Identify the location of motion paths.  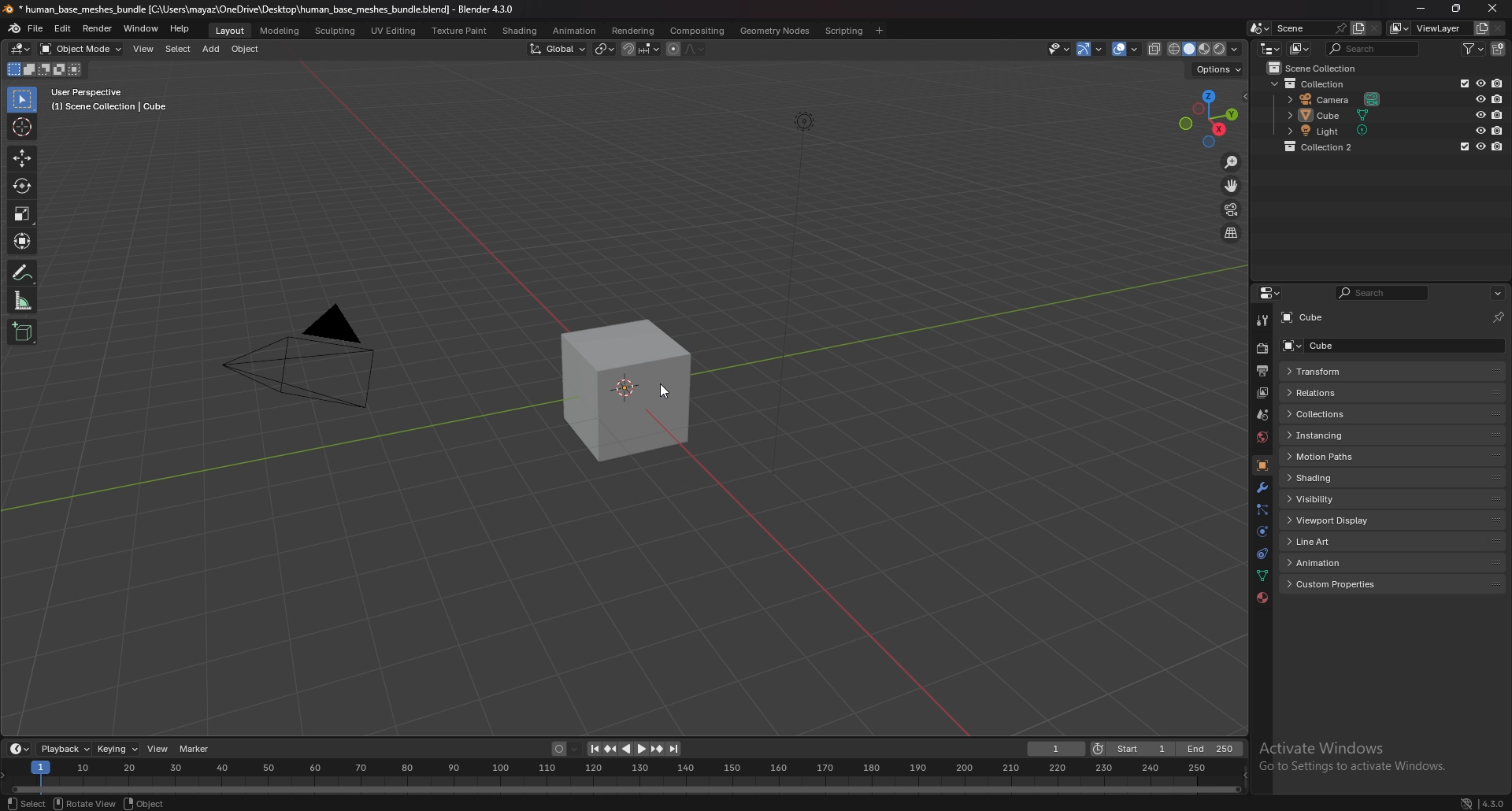
(1345, 457).